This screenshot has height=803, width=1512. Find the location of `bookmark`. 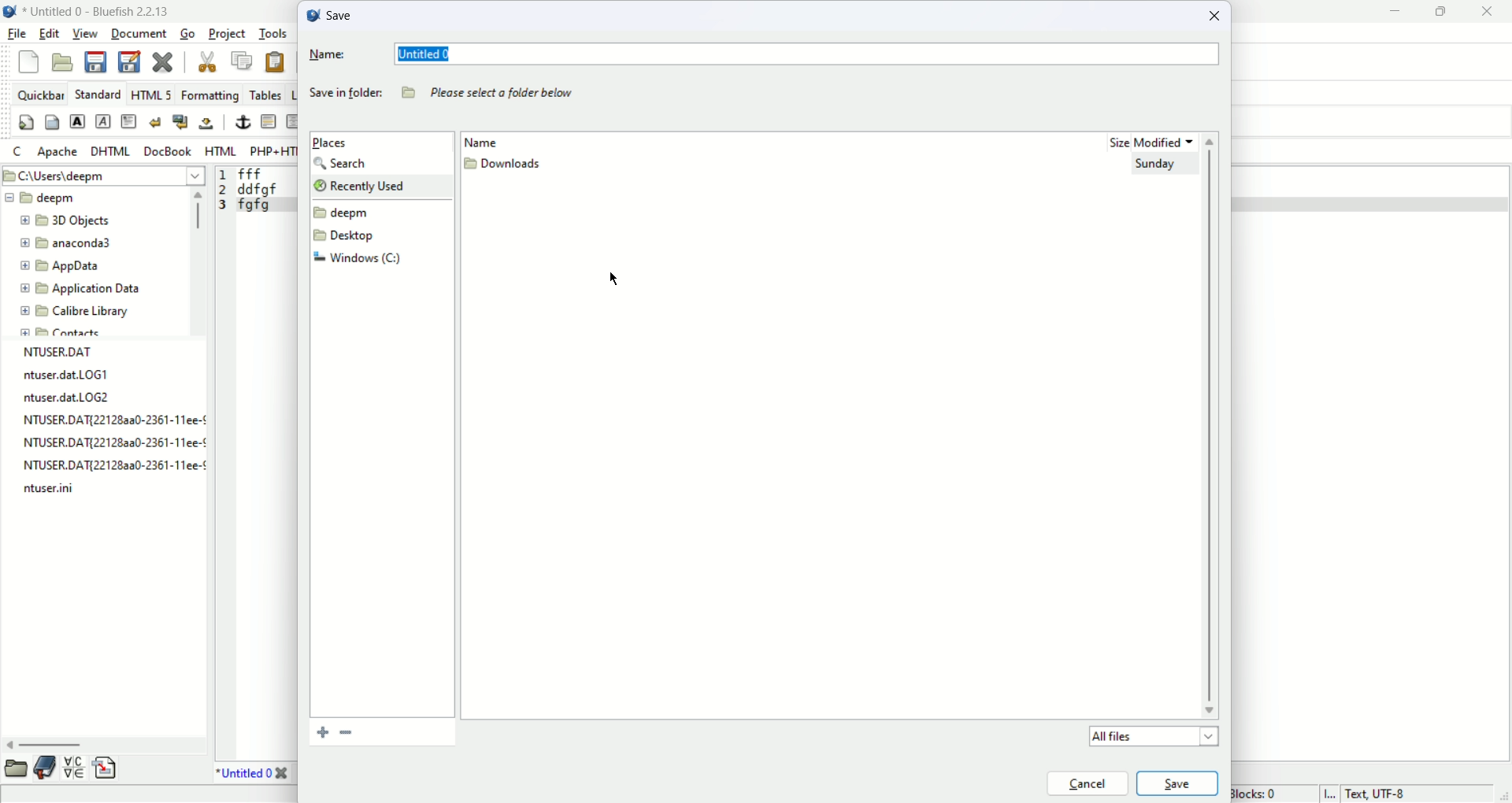

bookmark is located at coordinates (46, 770).